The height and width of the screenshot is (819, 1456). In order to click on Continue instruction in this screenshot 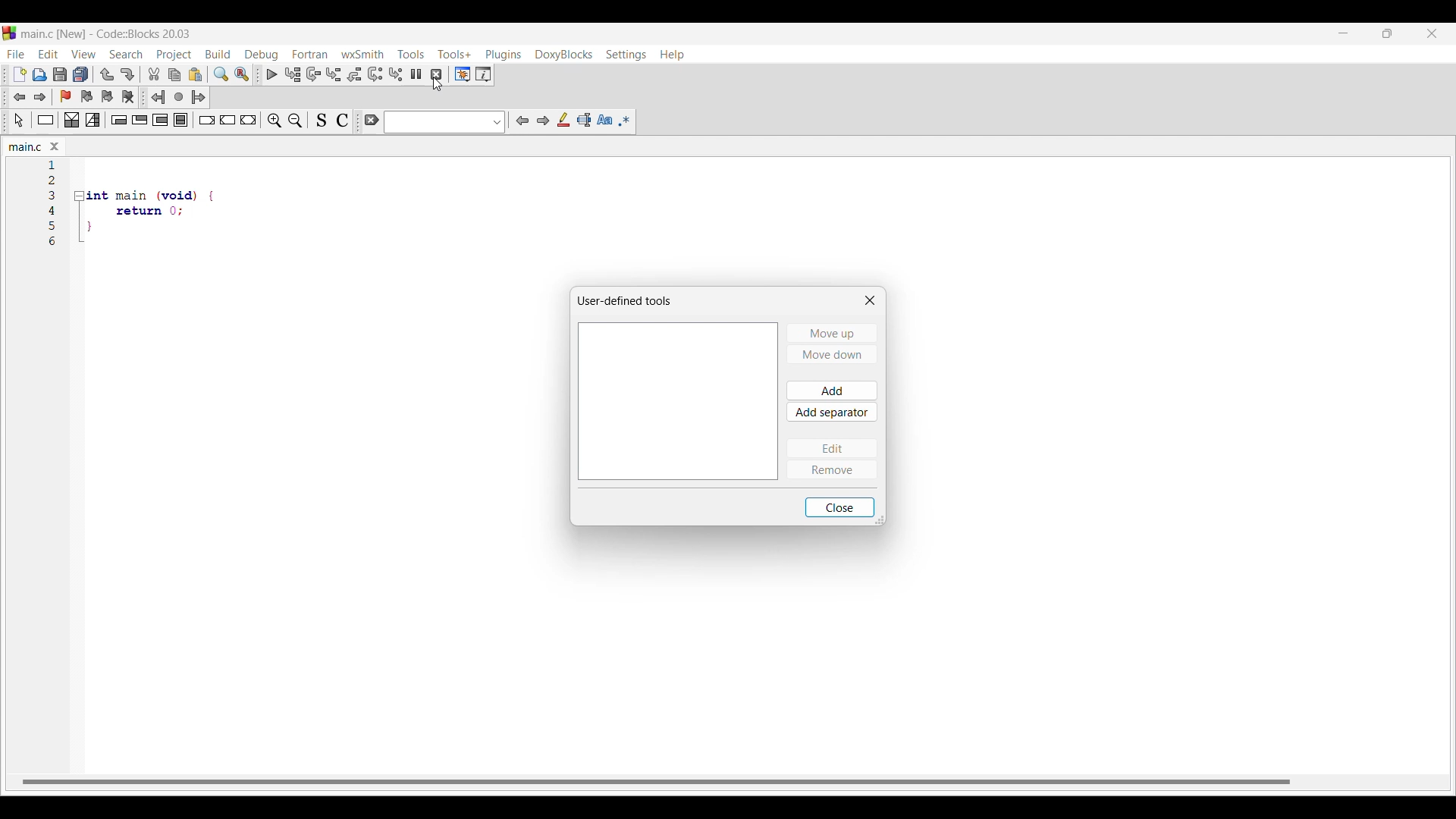, I will do `click(228, 120)`.